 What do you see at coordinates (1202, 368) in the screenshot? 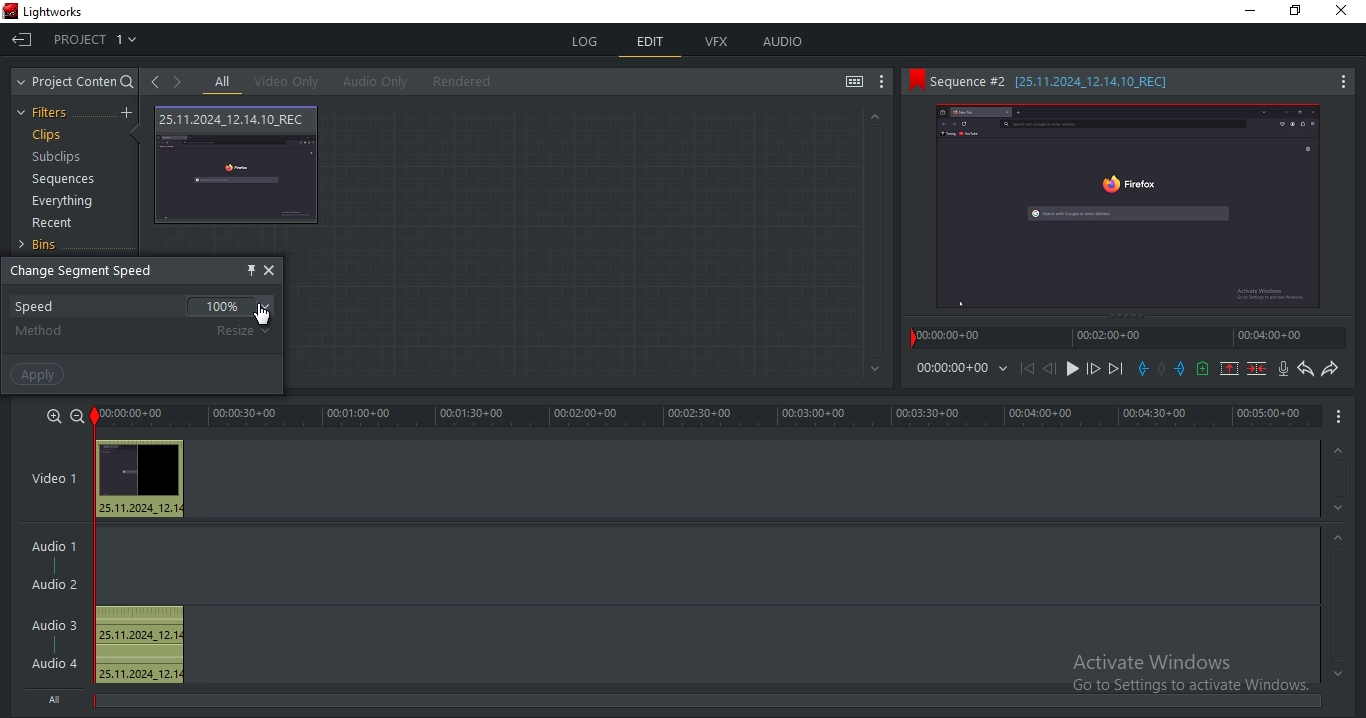
I see `add a cue at the current position` at bounding box center [1202, 368].